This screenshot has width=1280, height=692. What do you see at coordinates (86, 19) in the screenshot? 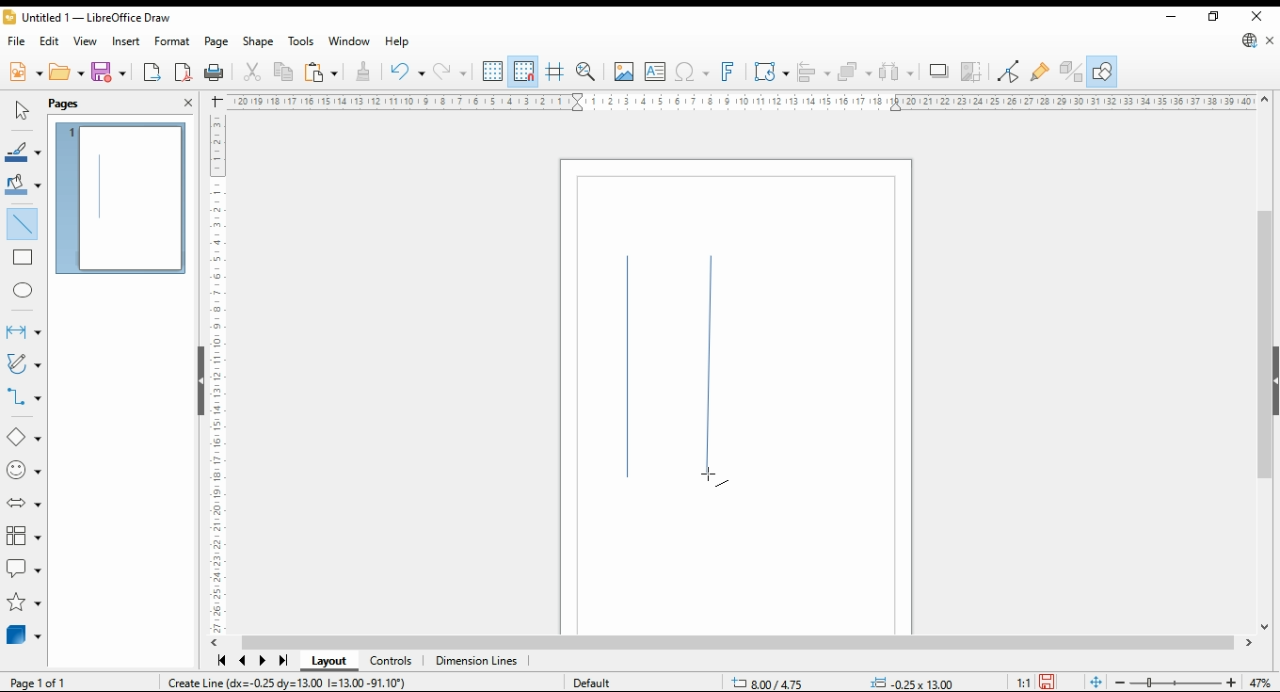
I see `Untitled 1 - LibreOffice Draw` at bounding box center [86, 19].